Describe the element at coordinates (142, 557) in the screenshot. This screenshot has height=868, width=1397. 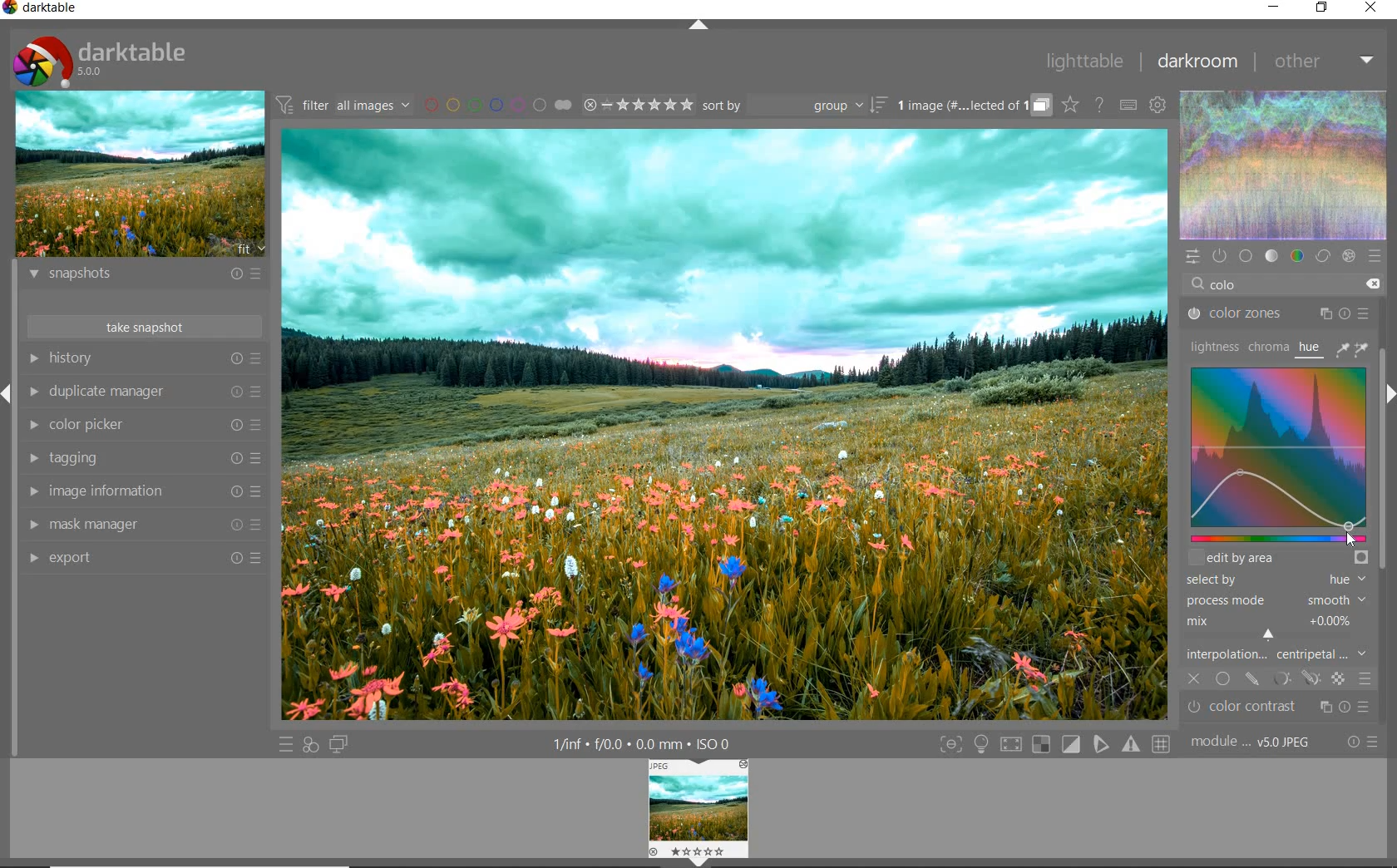
I see `export` at that location.